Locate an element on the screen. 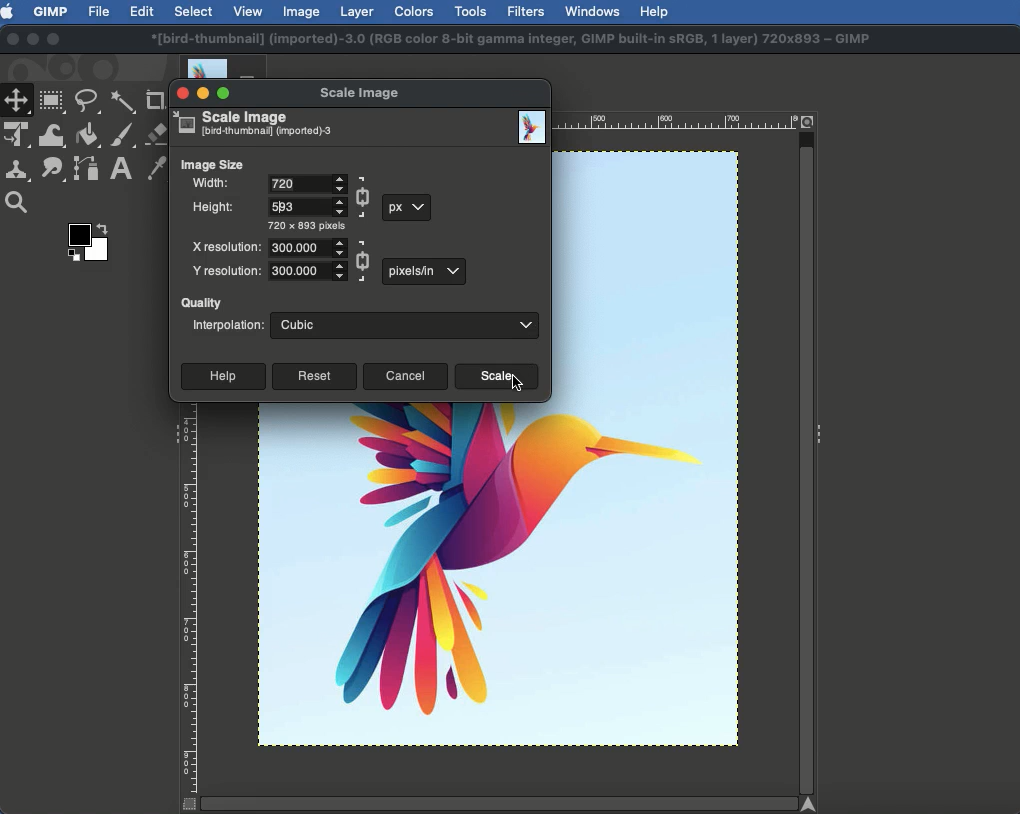 The height and width of the screenshot is (814, 1020). Filters is located at coordinates (527, 12).